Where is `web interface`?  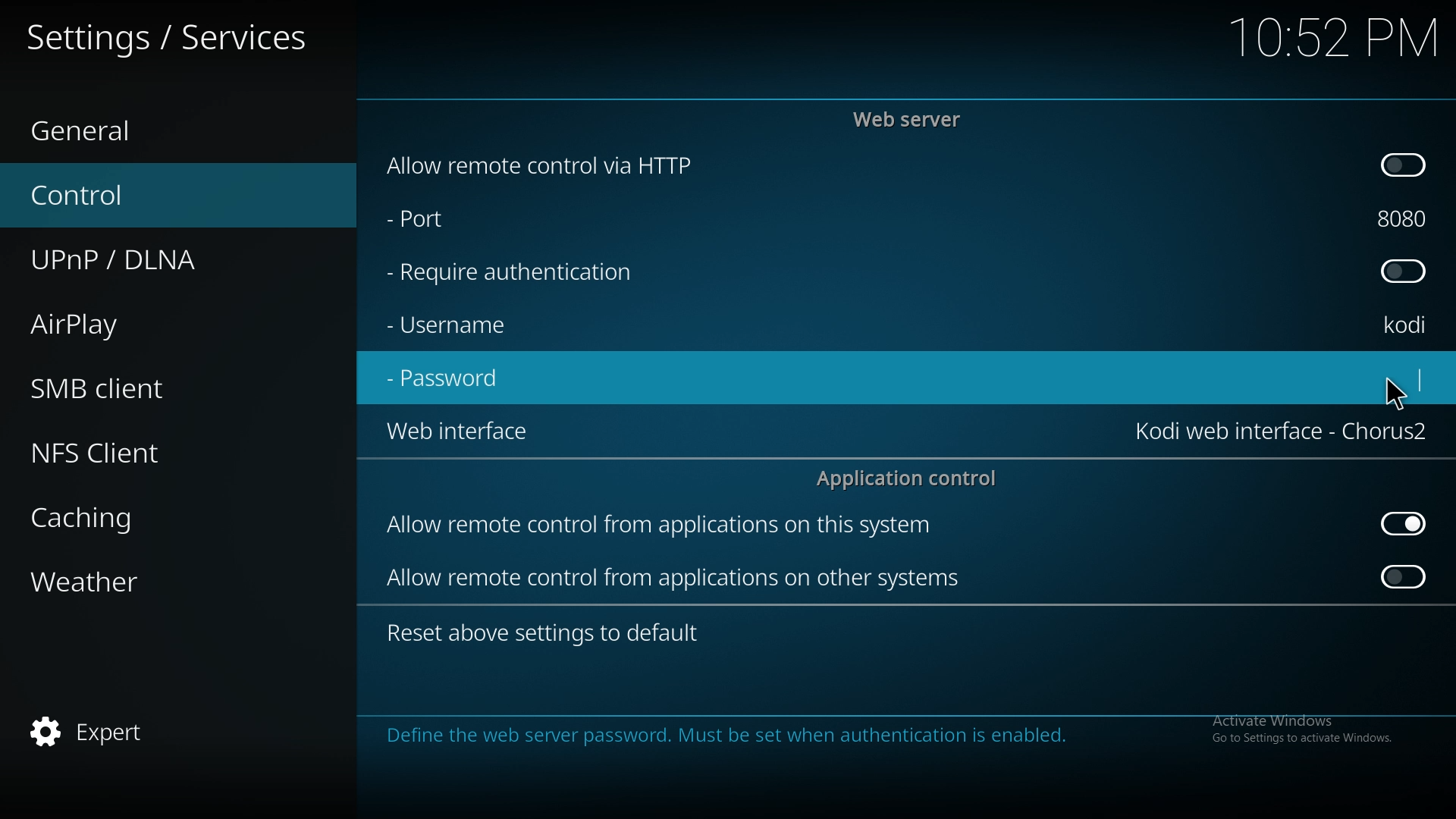
web interface is located at coordinates (467, 434).